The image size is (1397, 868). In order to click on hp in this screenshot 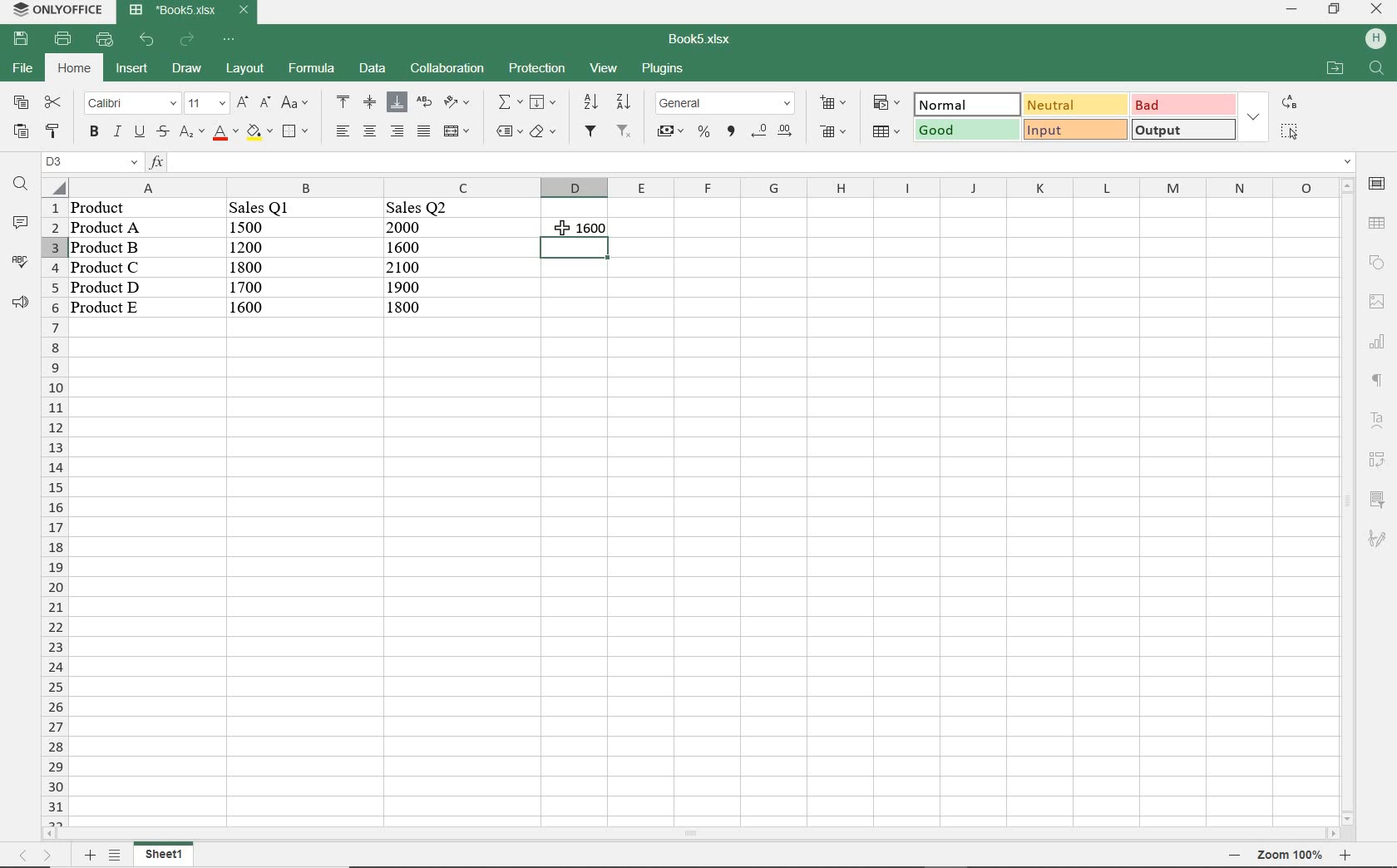, I will do `click(1377, 40)`.